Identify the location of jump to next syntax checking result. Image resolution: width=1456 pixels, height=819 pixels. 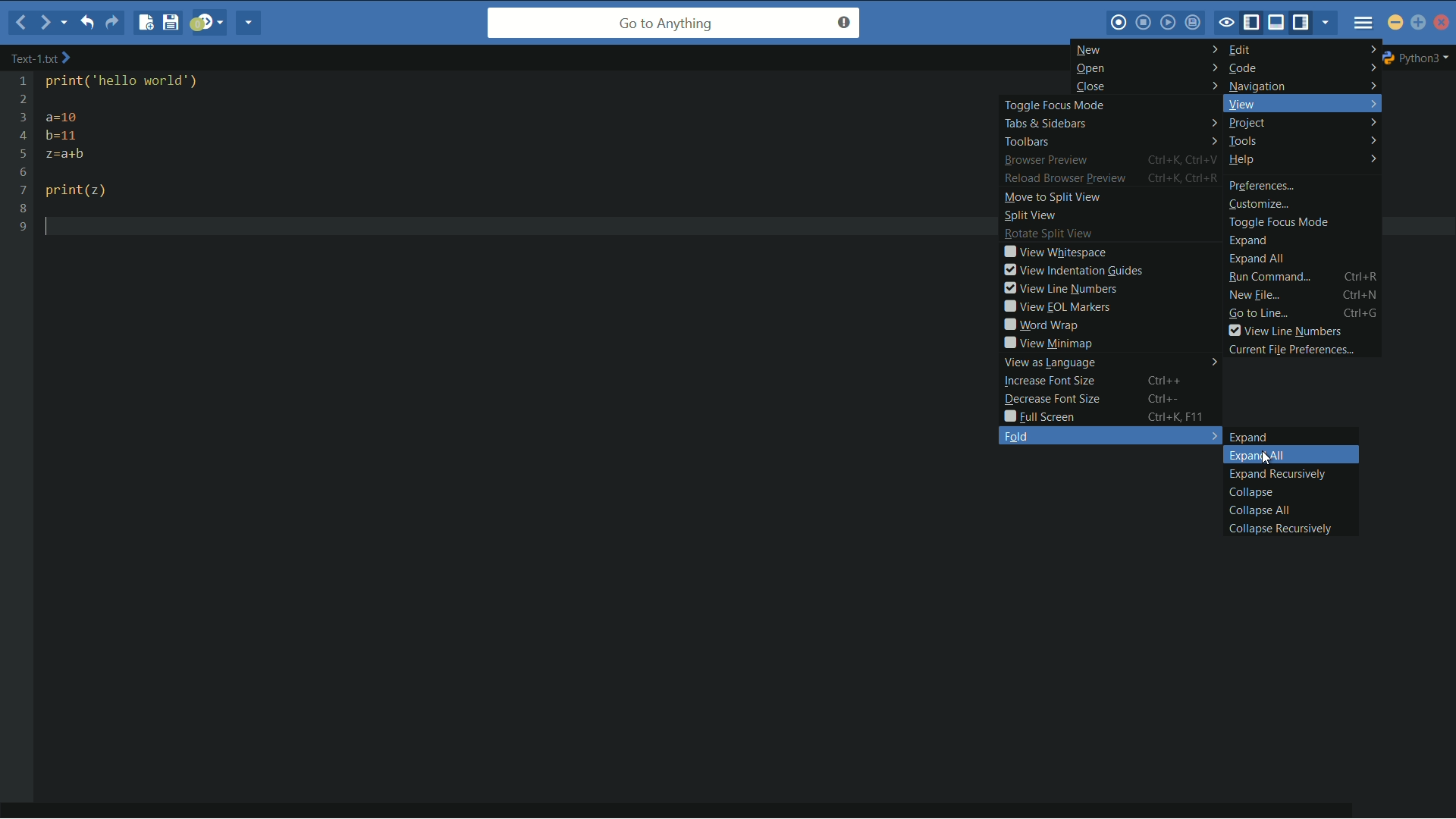
(208, 24).